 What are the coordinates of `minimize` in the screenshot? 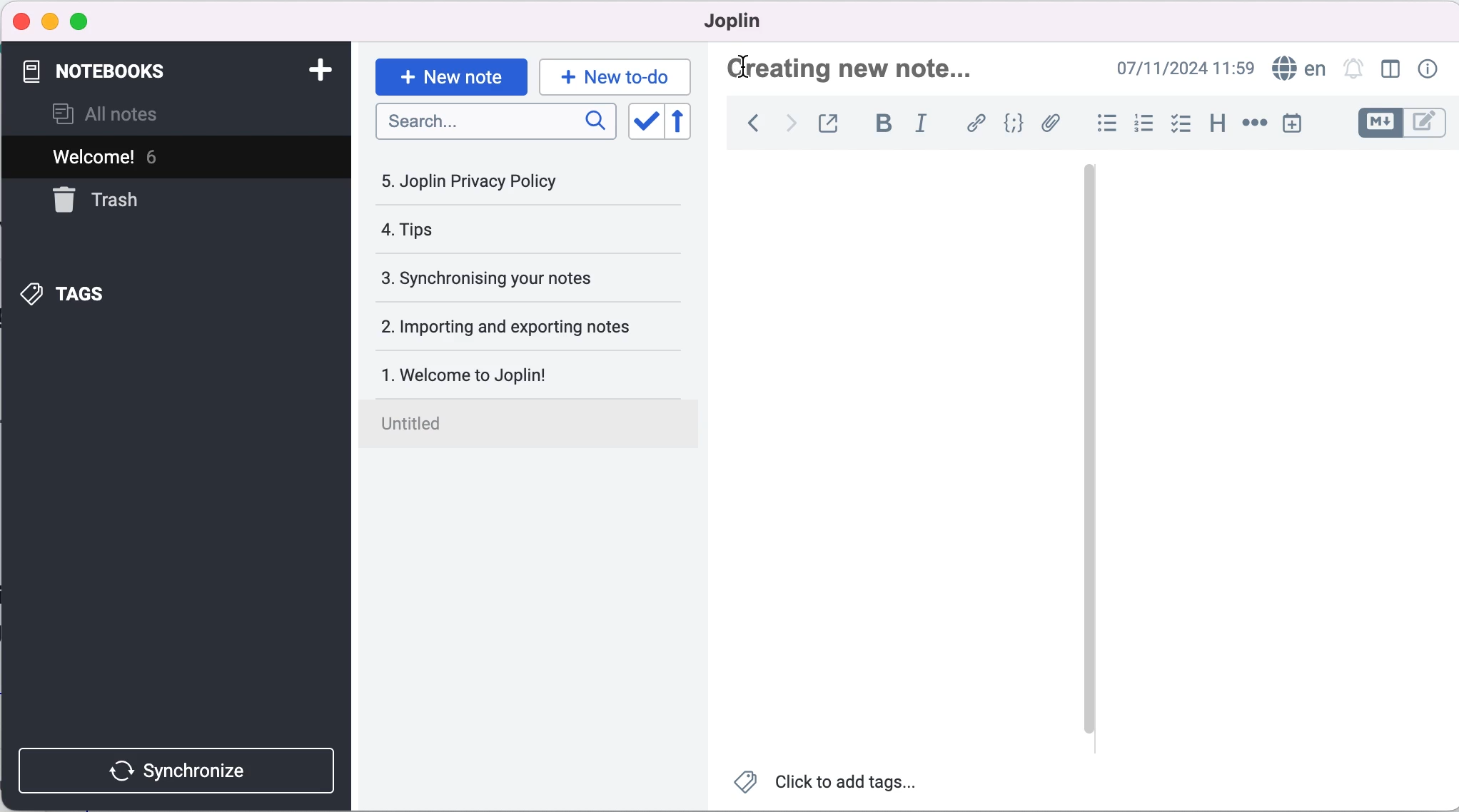 It's located at (50, 19).